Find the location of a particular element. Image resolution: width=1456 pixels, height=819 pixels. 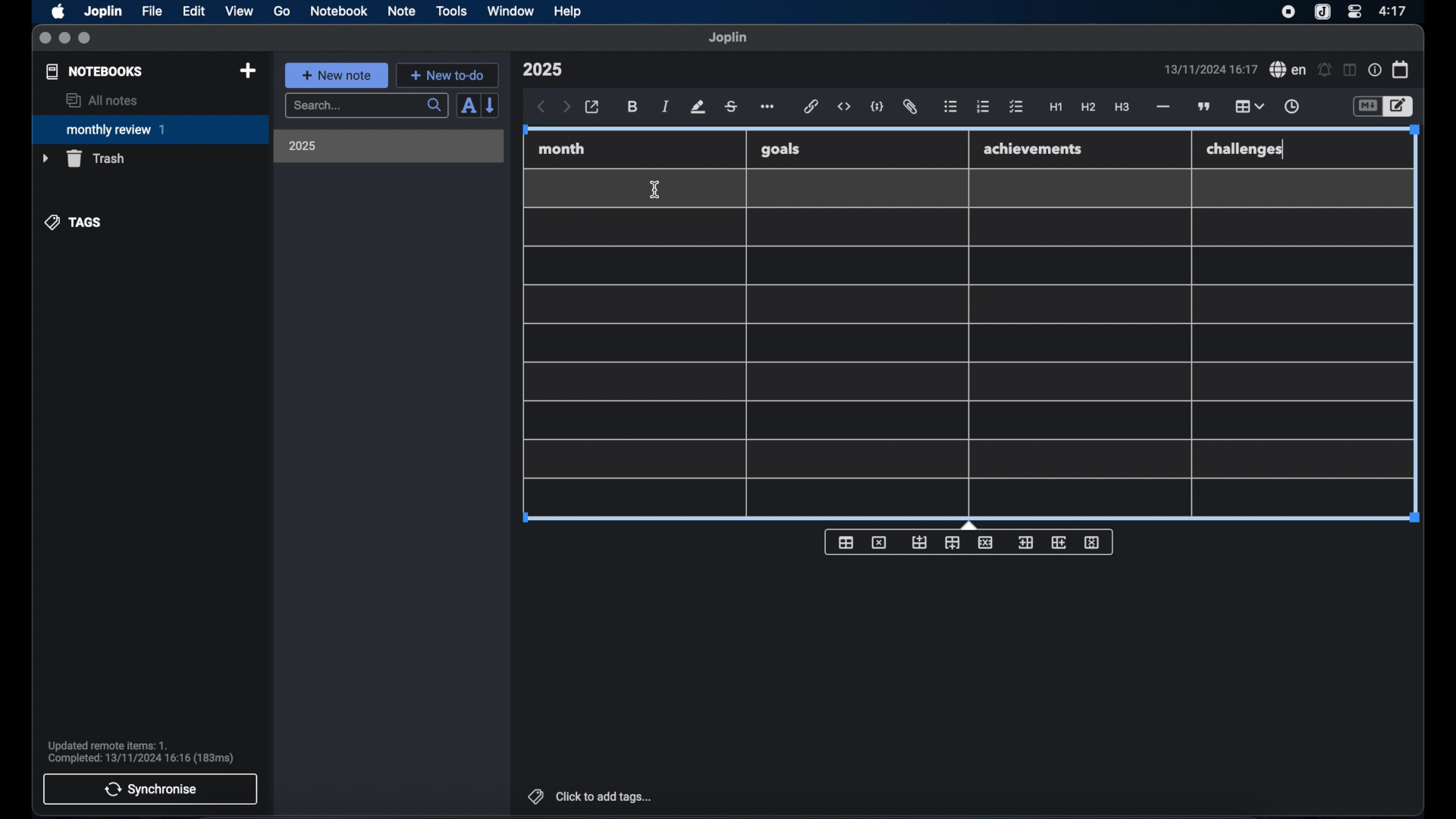

strikethrough is located at coordinates (730, 107).